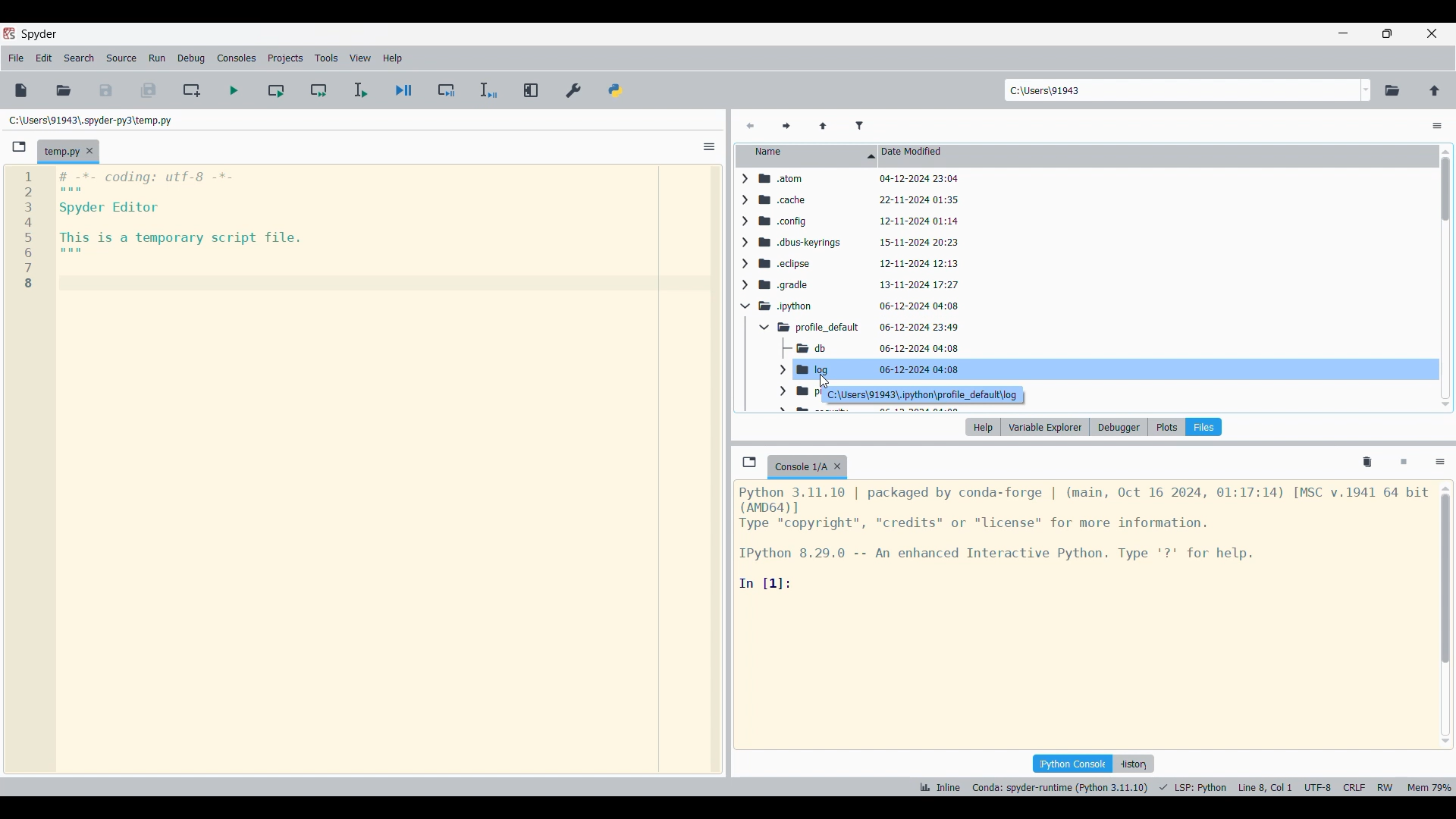 This screenshot has width=1456, height=819. I want to click on Options, so click(1440, 463).